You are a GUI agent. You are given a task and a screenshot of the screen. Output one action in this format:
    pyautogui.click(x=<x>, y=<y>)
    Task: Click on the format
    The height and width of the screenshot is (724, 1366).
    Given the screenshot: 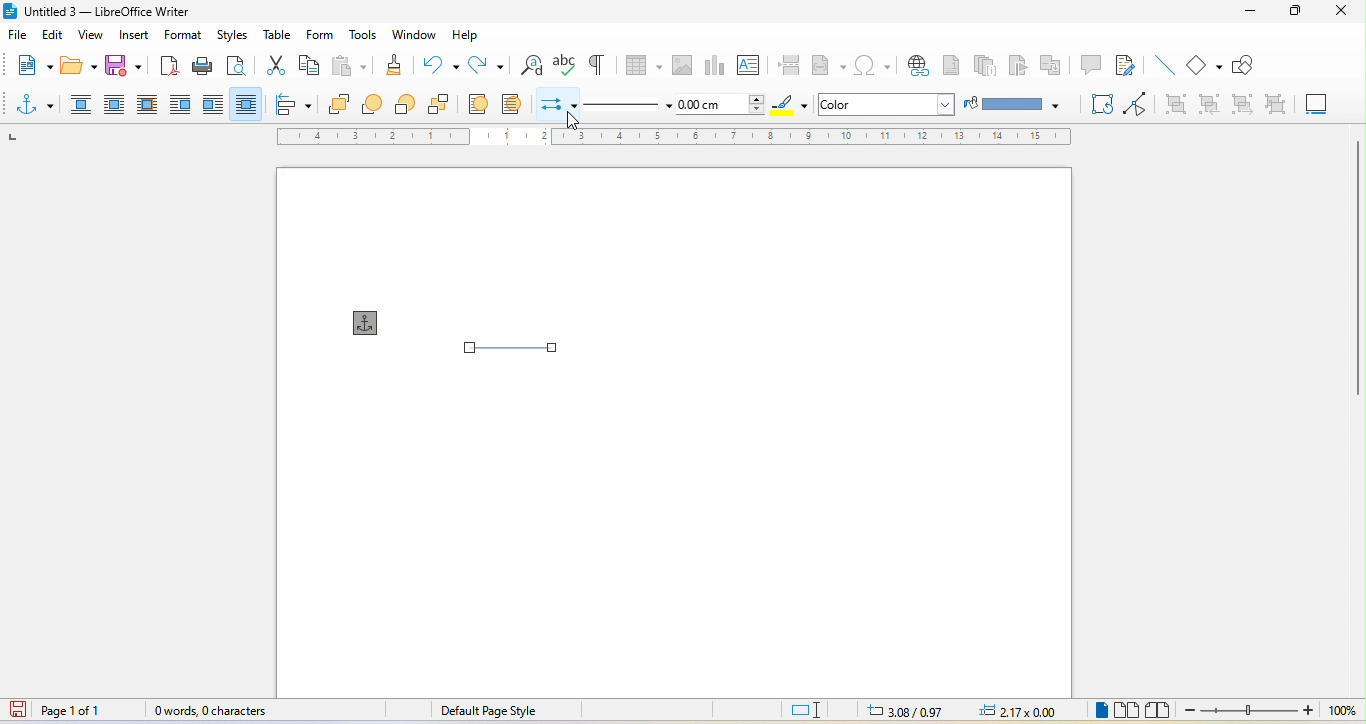 What is the action you would take?
    pyautogui.click(x=188, y=36)
    